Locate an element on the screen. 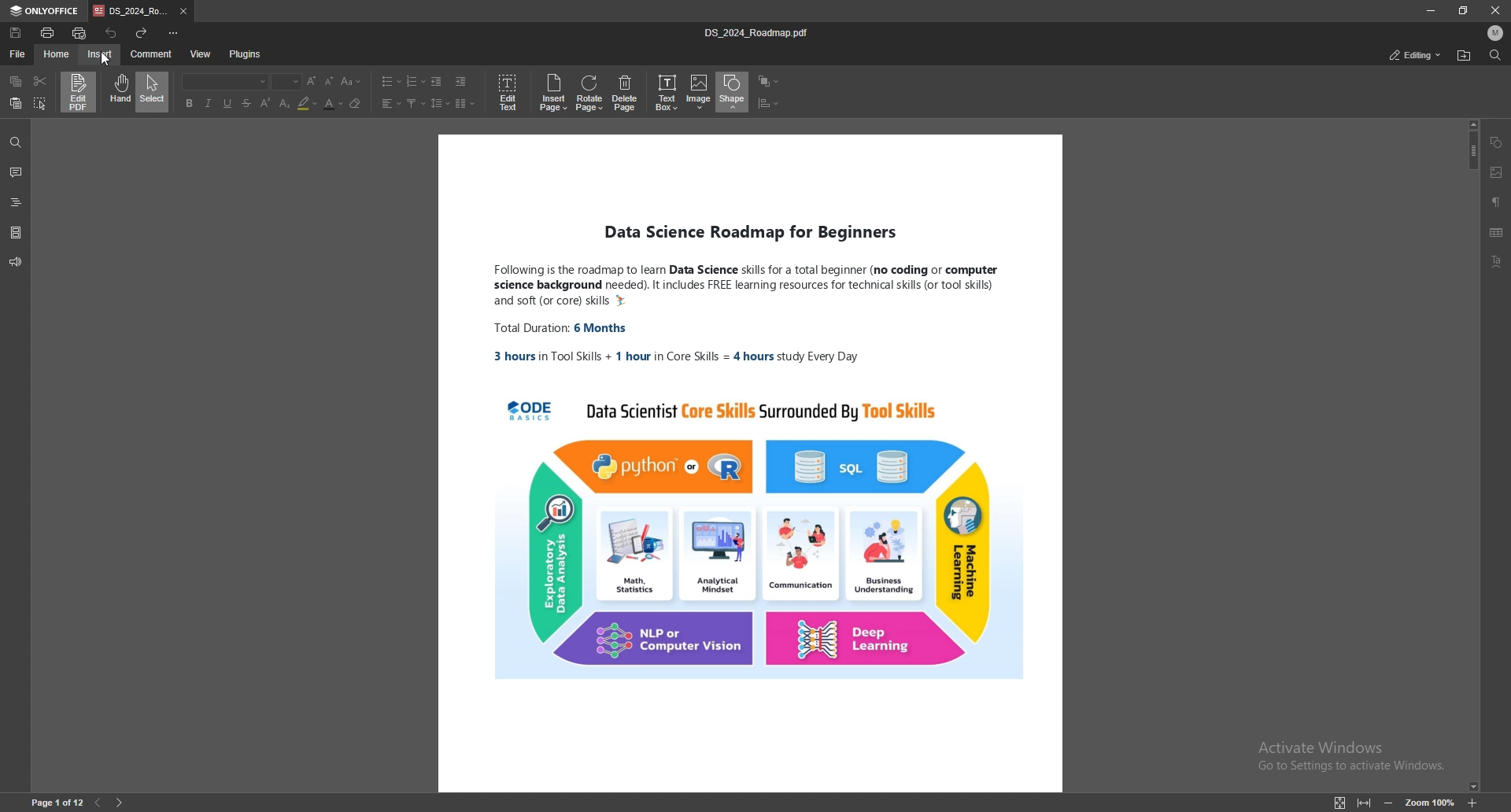 This screenshot has width=1511, height=812. paste is located at coordinates (16, 104).